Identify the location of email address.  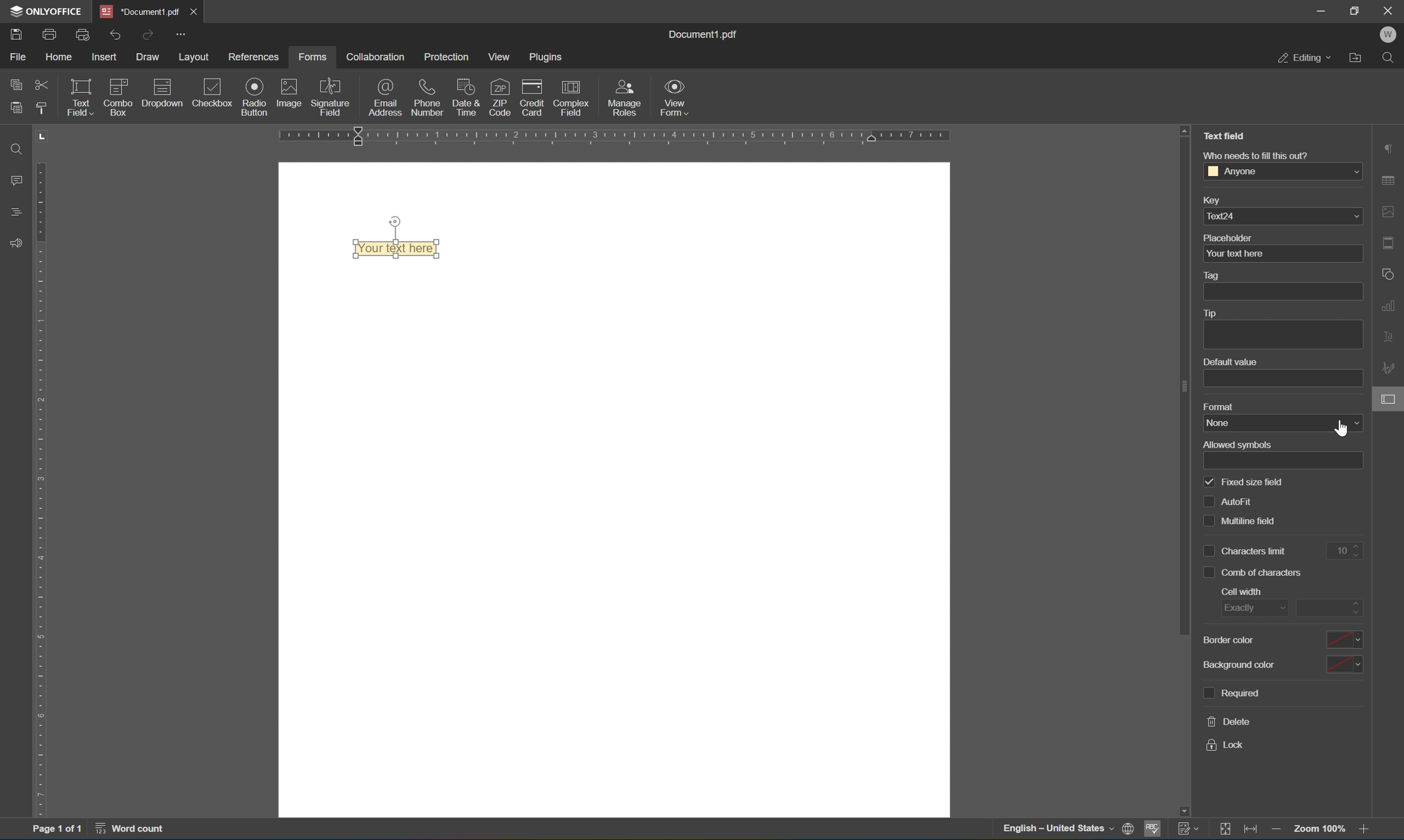
(386, 97).